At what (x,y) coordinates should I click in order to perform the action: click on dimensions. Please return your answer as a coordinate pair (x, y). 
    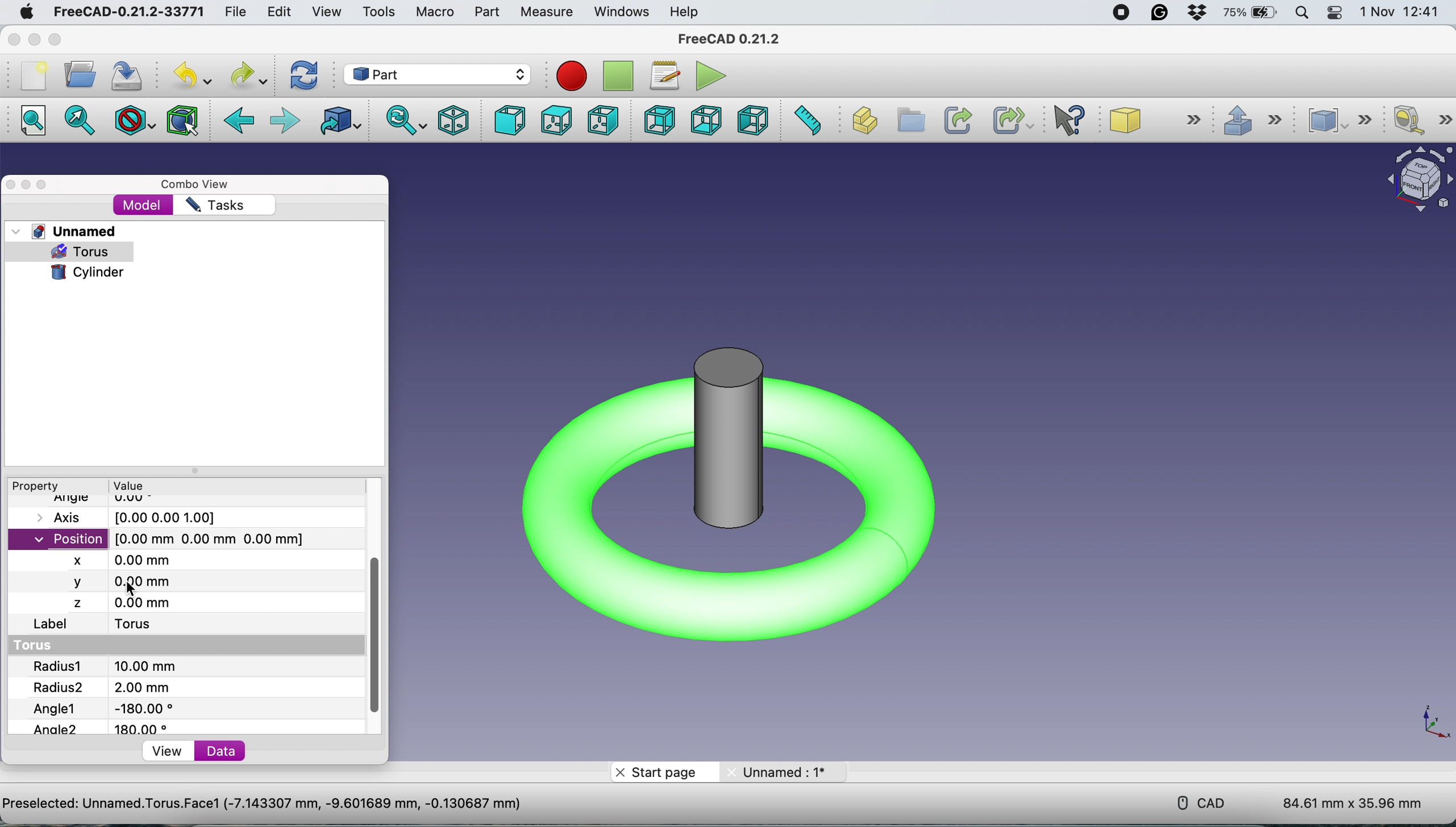
    Looking at the image, I should click on (1353, 799).